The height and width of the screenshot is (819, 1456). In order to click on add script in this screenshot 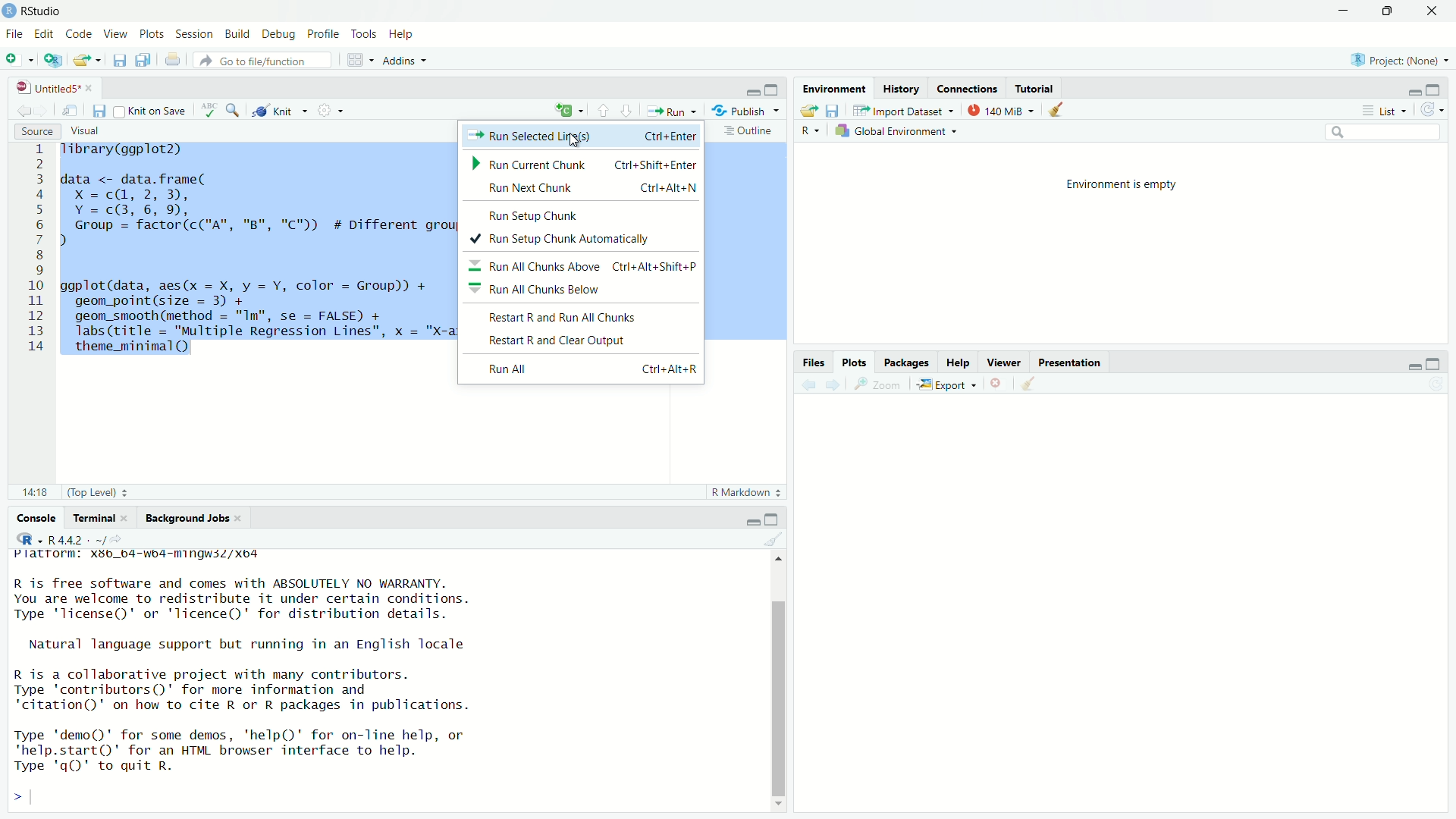, I will do `click(52, 61)`.